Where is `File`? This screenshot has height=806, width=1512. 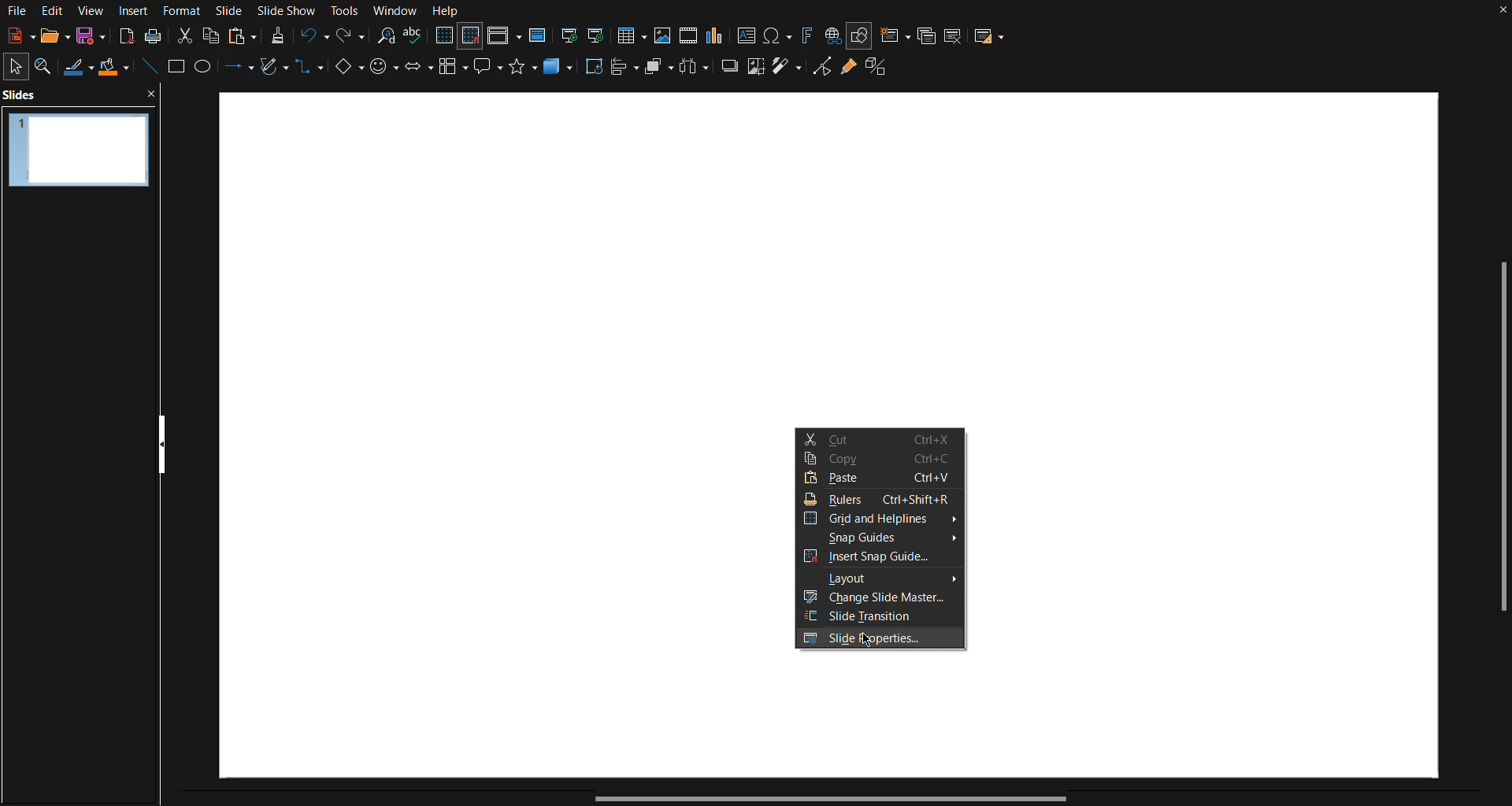 File is located at coordinates (16, 11).